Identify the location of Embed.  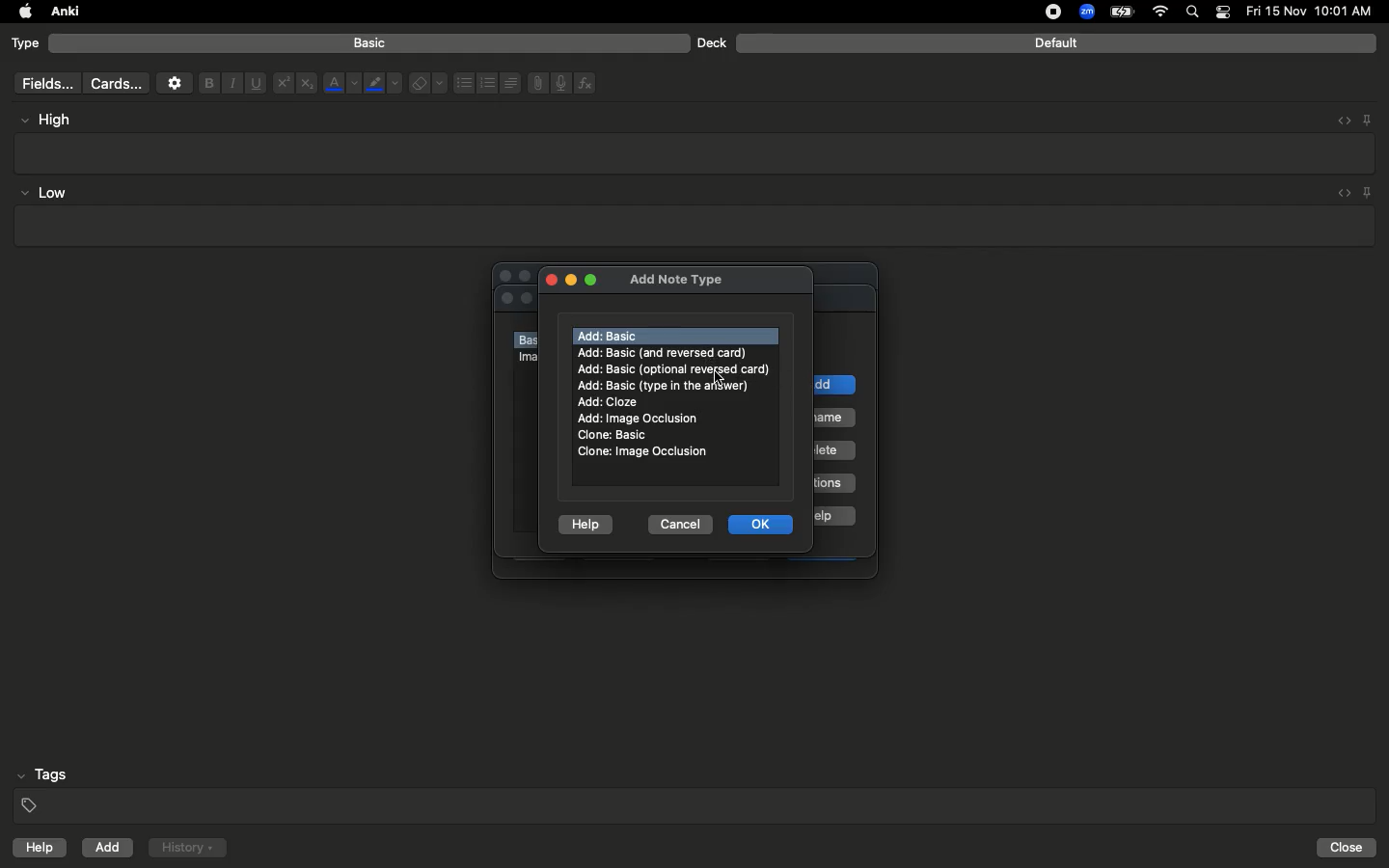
(1340, 194).